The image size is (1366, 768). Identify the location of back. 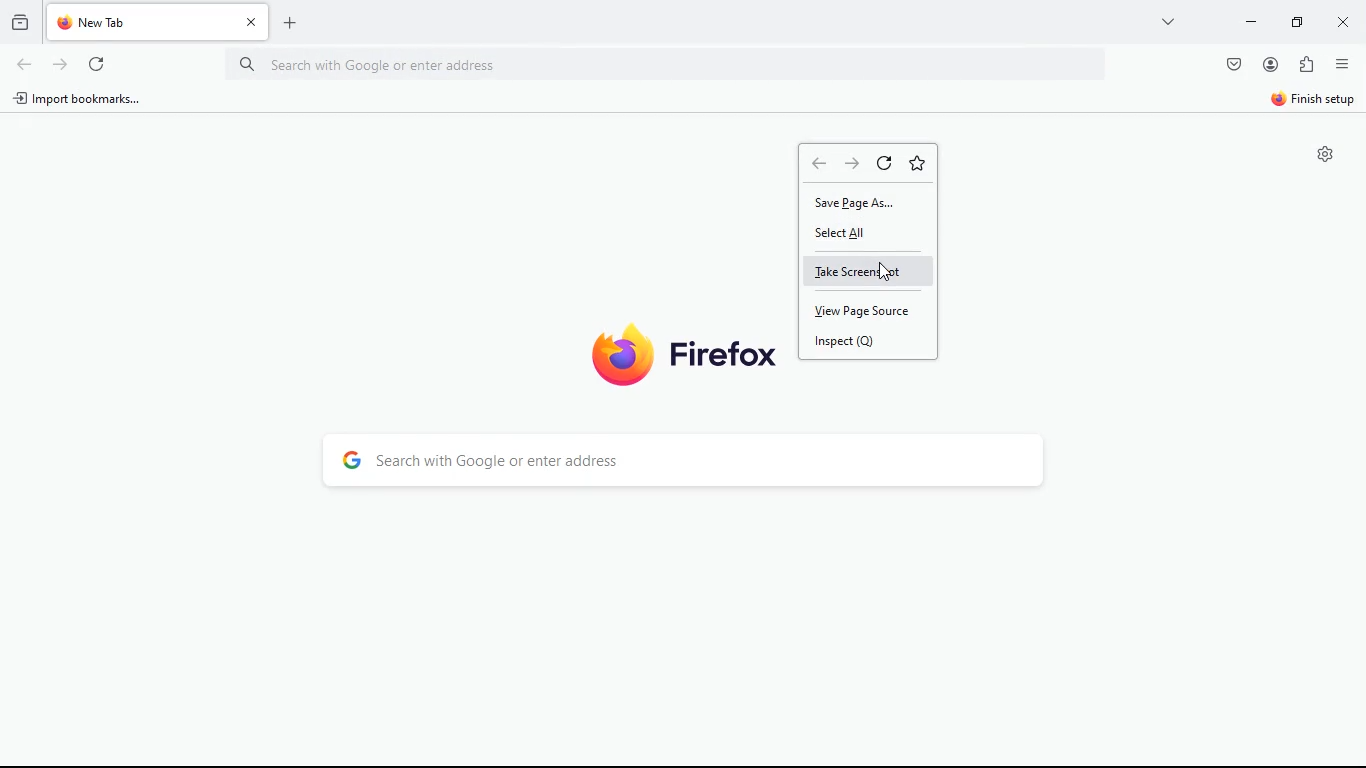
(818, 163).